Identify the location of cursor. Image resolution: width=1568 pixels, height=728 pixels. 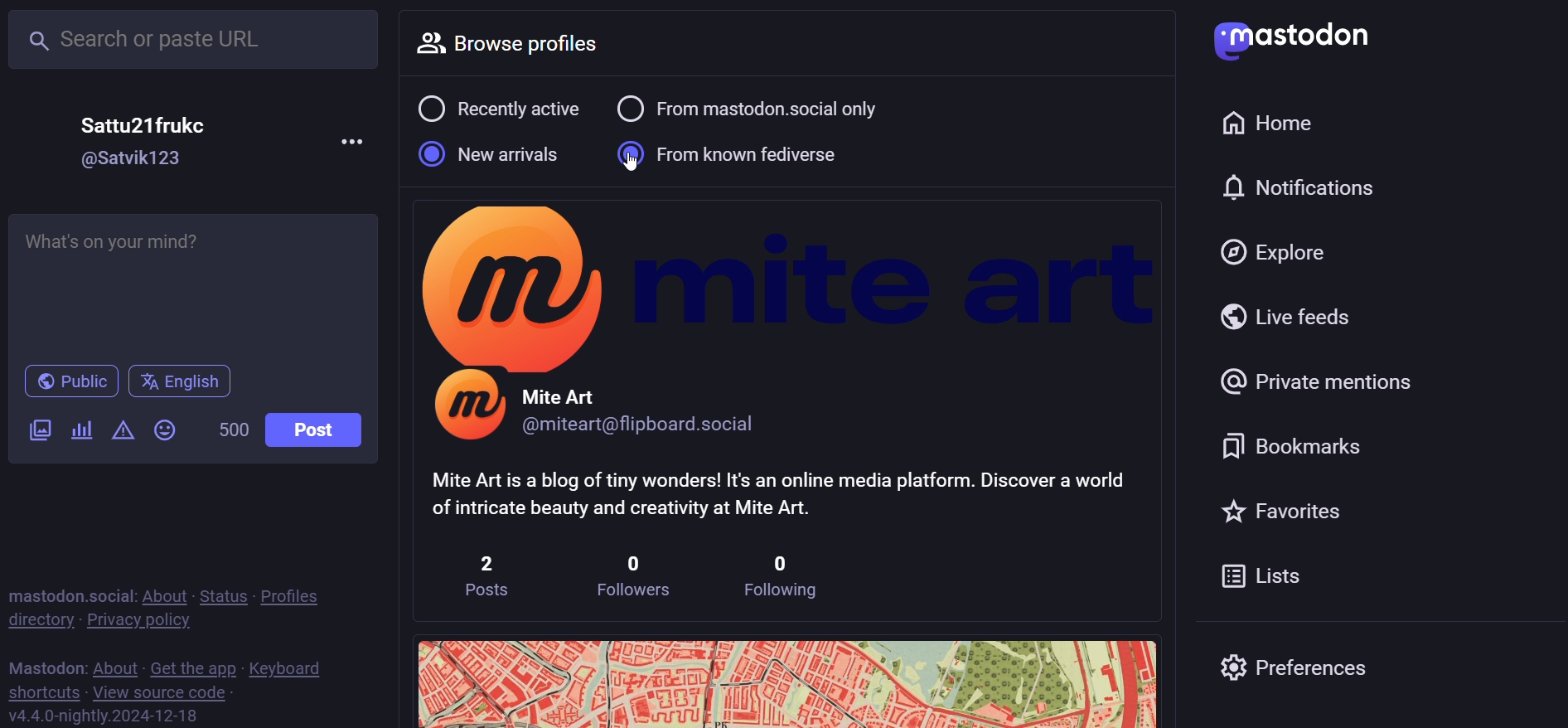
(635, 168).